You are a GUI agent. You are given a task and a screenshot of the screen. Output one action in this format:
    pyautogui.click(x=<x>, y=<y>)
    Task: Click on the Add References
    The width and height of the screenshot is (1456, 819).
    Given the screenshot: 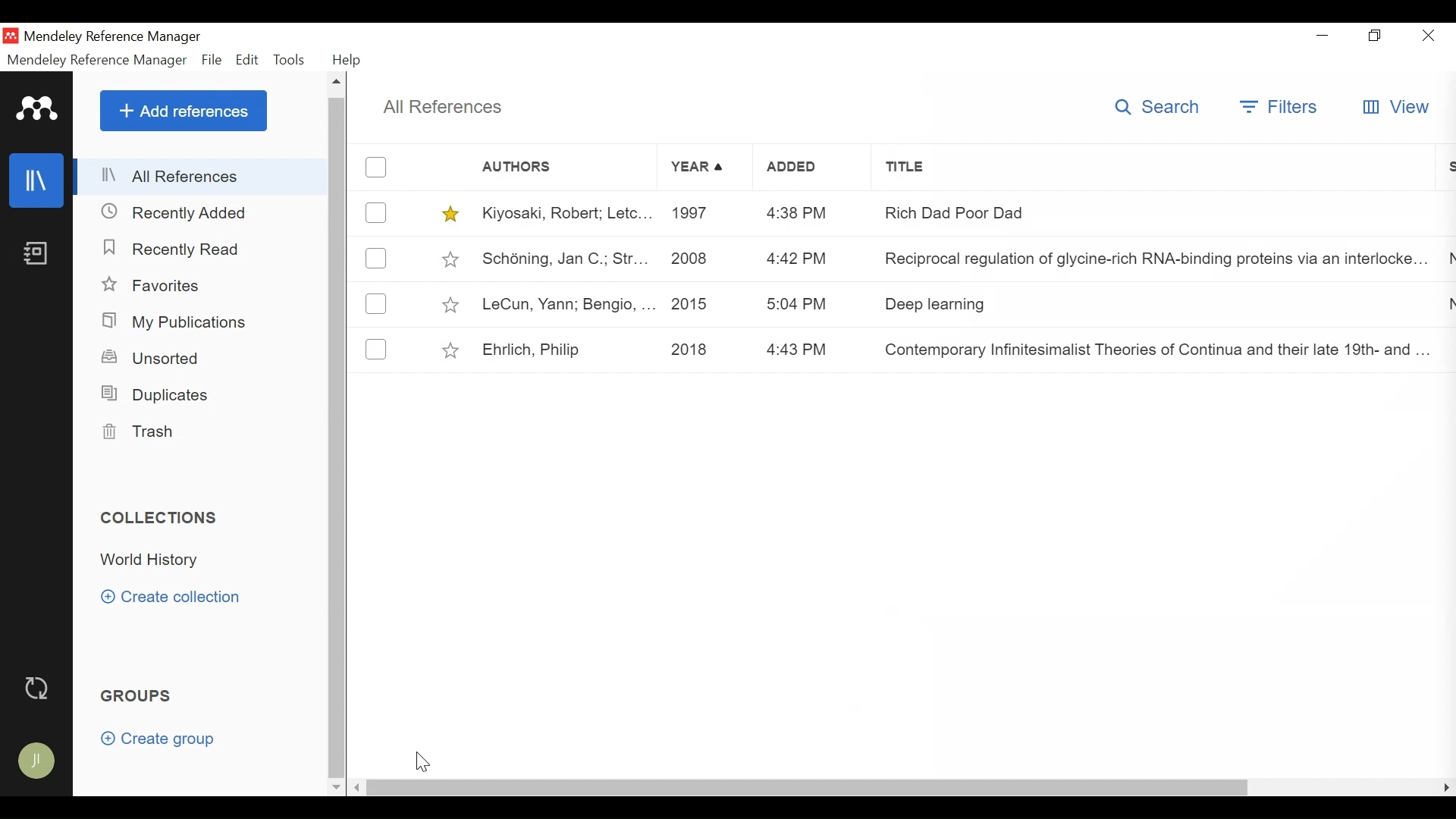 What is the action you would take?
    pyautogui.click(x=184, y=110)
    